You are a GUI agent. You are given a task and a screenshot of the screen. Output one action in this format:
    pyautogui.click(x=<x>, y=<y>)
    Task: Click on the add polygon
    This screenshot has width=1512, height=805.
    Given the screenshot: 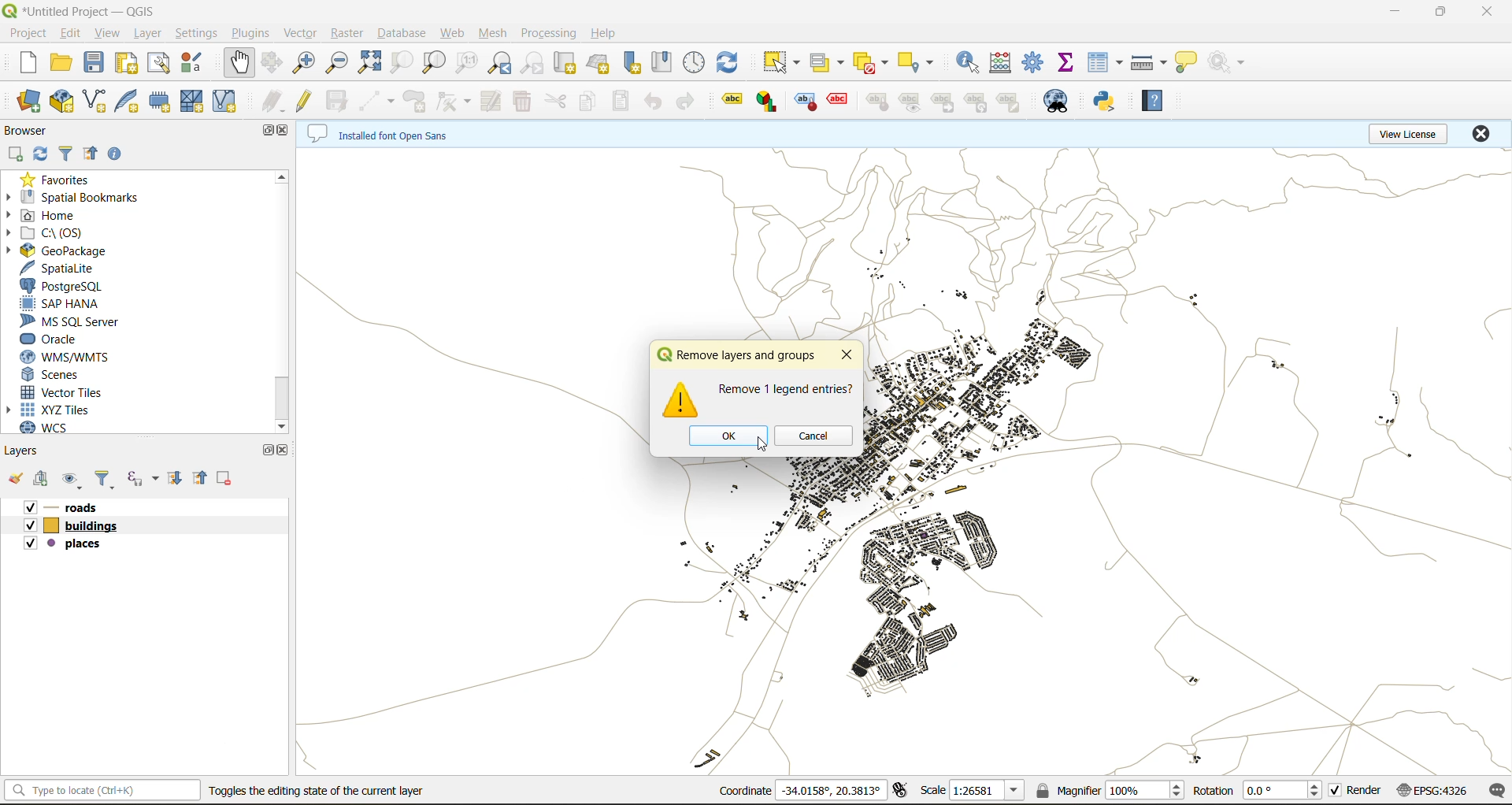 What is the action you would take?
    pyautogui.click(x=418, y=101)
    